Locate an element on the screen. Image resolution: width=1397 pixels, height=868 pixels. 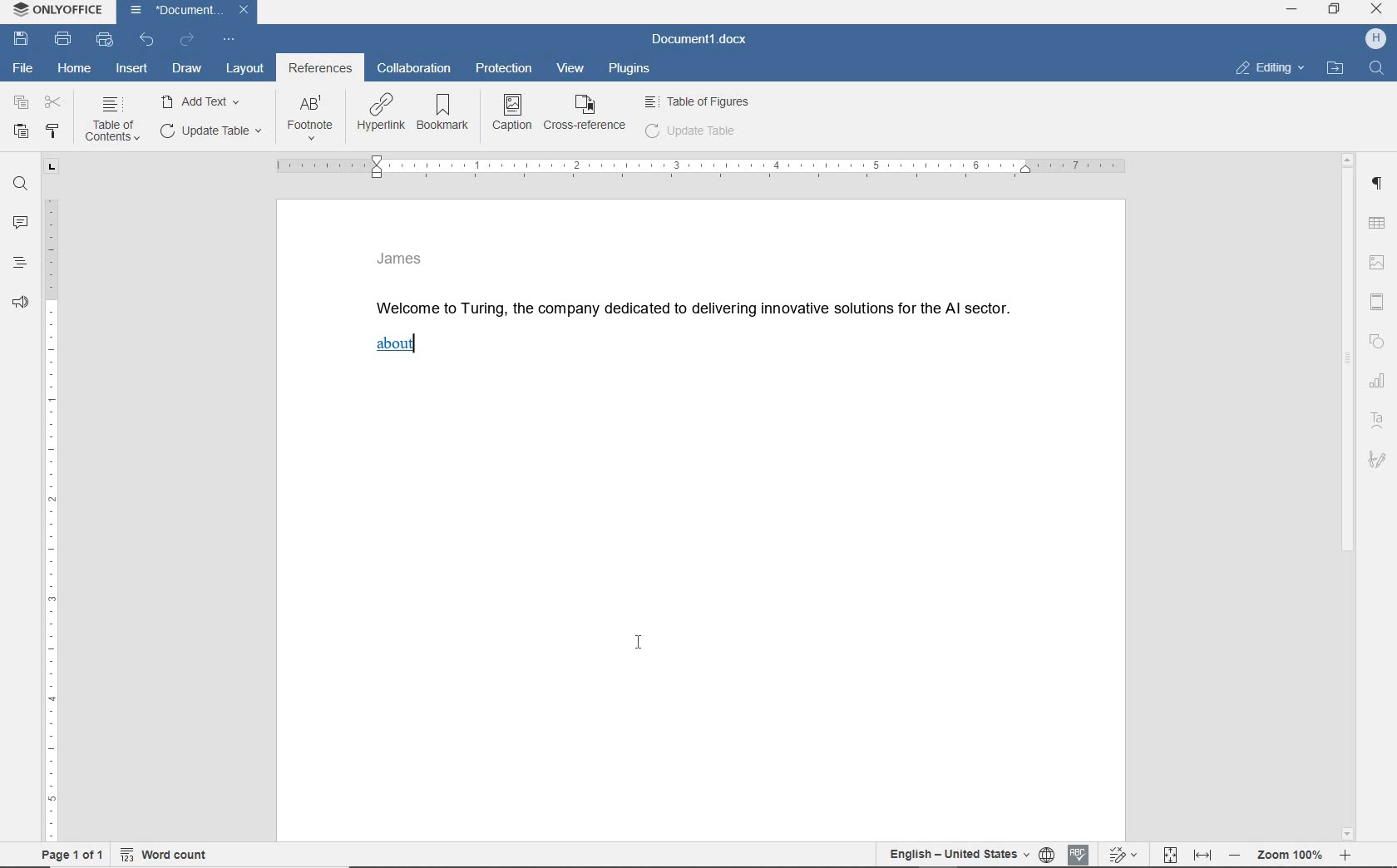
Page 1 of 1 is located at coordinates (67, 856).